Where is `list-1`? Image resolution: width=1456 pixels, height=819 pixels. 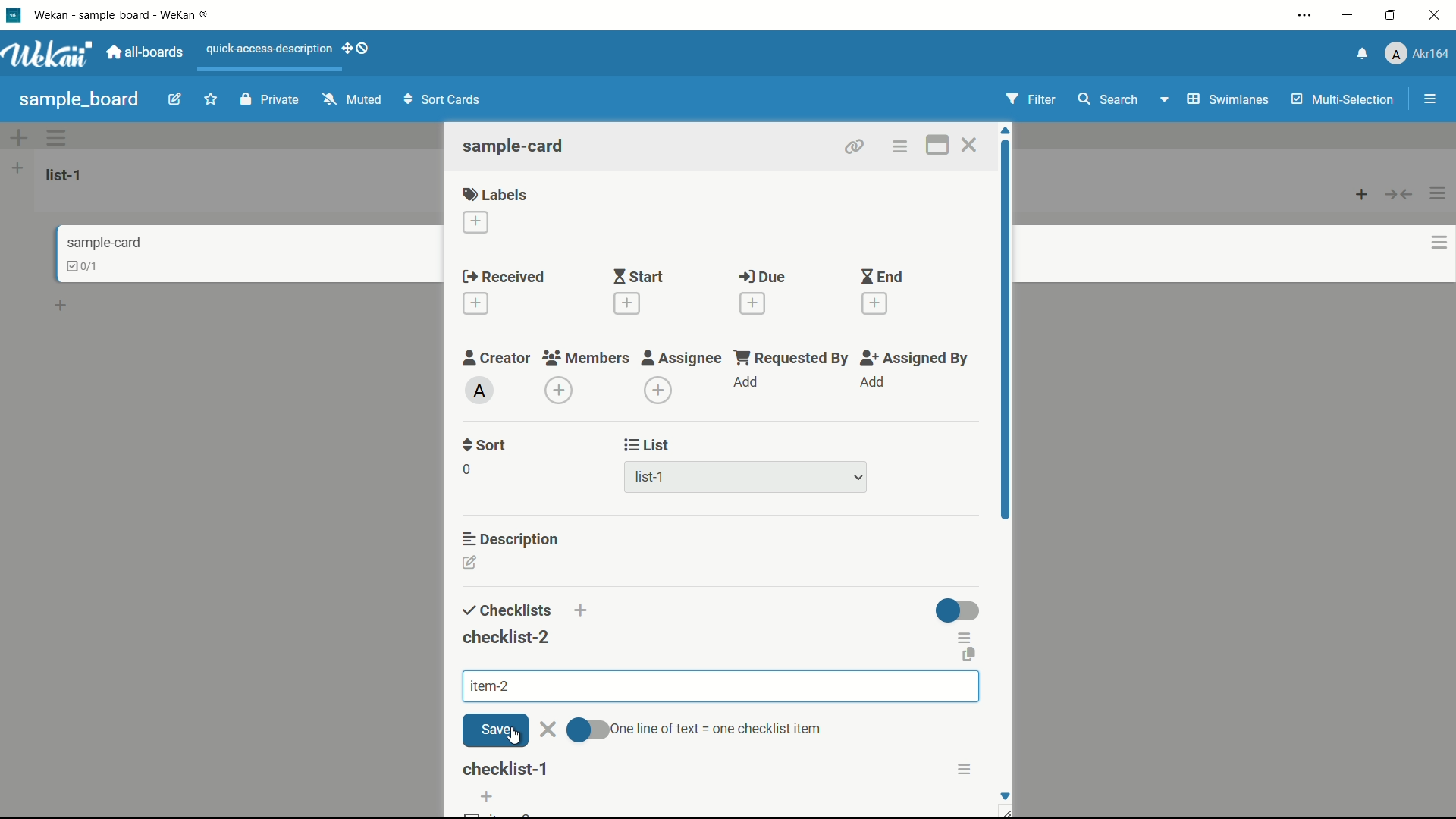
list-1 is located at coordinates (652, 480).